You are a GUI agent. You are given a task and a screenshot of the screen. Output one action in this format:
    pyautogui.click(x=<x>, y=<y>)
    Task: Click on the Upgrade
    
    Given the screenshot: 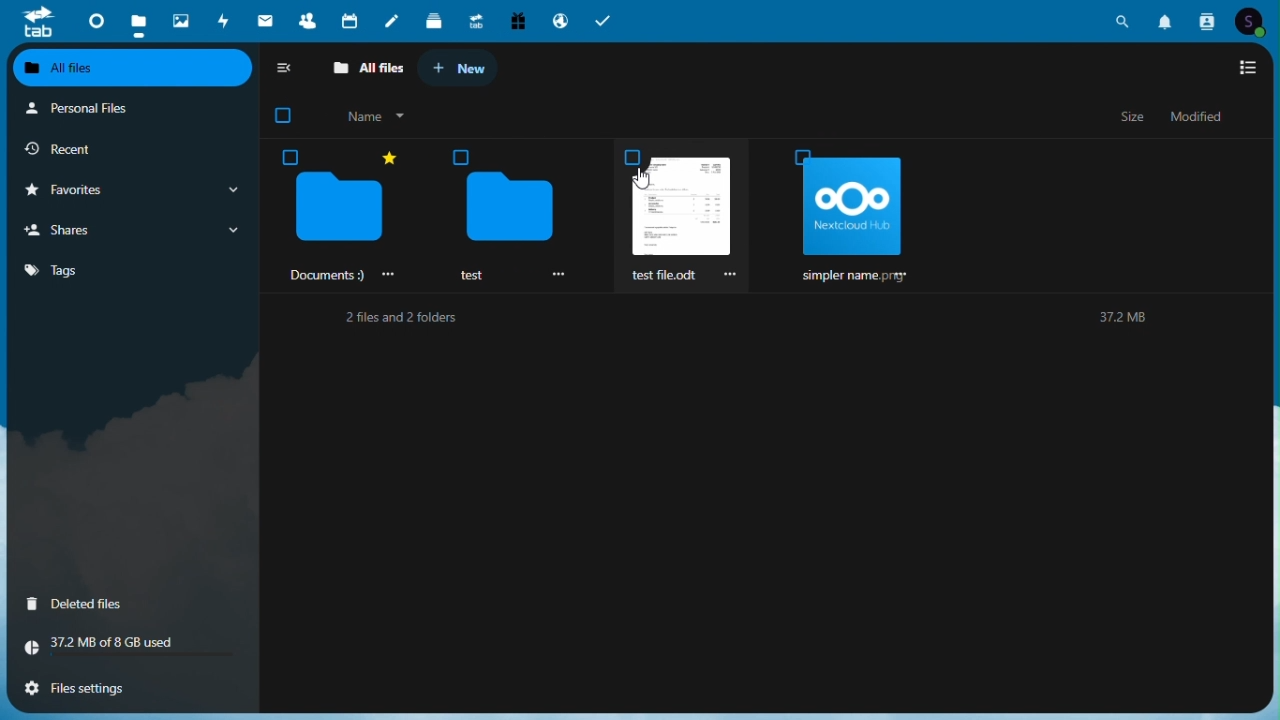 What is the action you would take?
    pyautogui.click(x=475, y=20)
    